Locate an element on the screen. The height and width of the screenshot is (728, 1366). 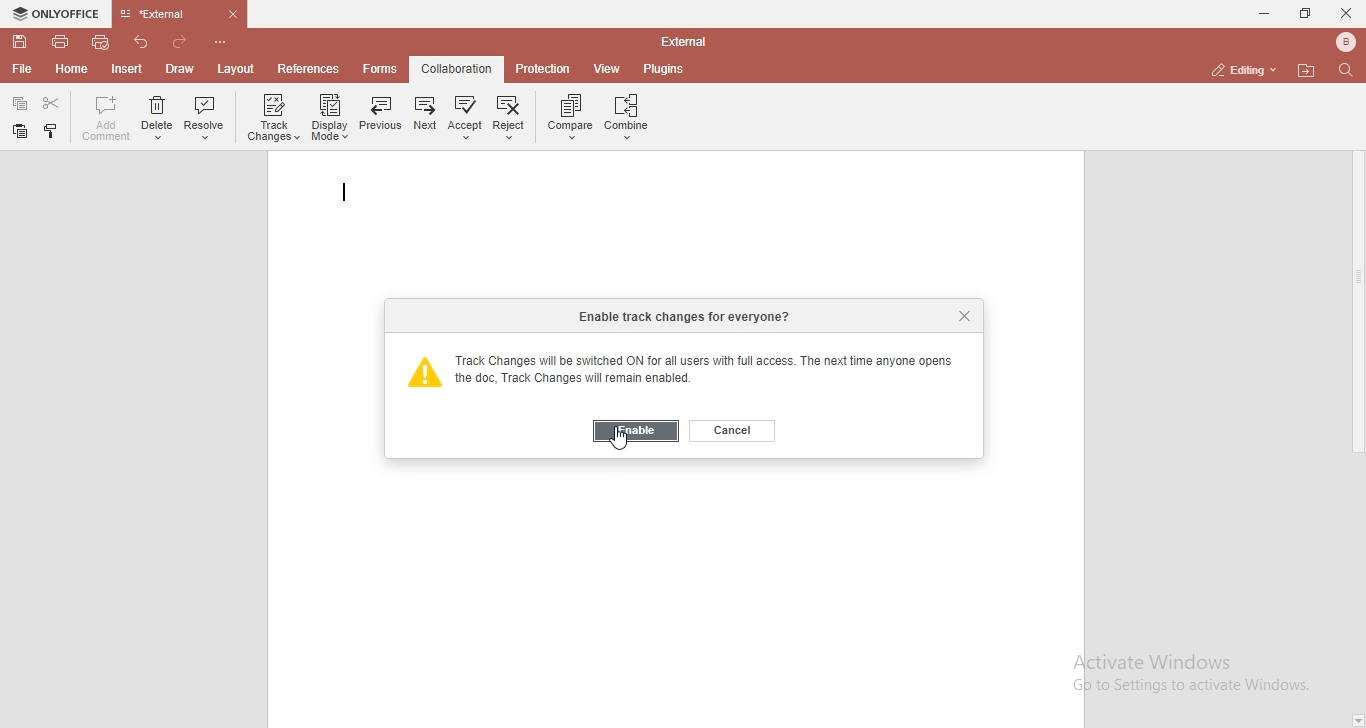
editing is located at coordinates (1239, 70).